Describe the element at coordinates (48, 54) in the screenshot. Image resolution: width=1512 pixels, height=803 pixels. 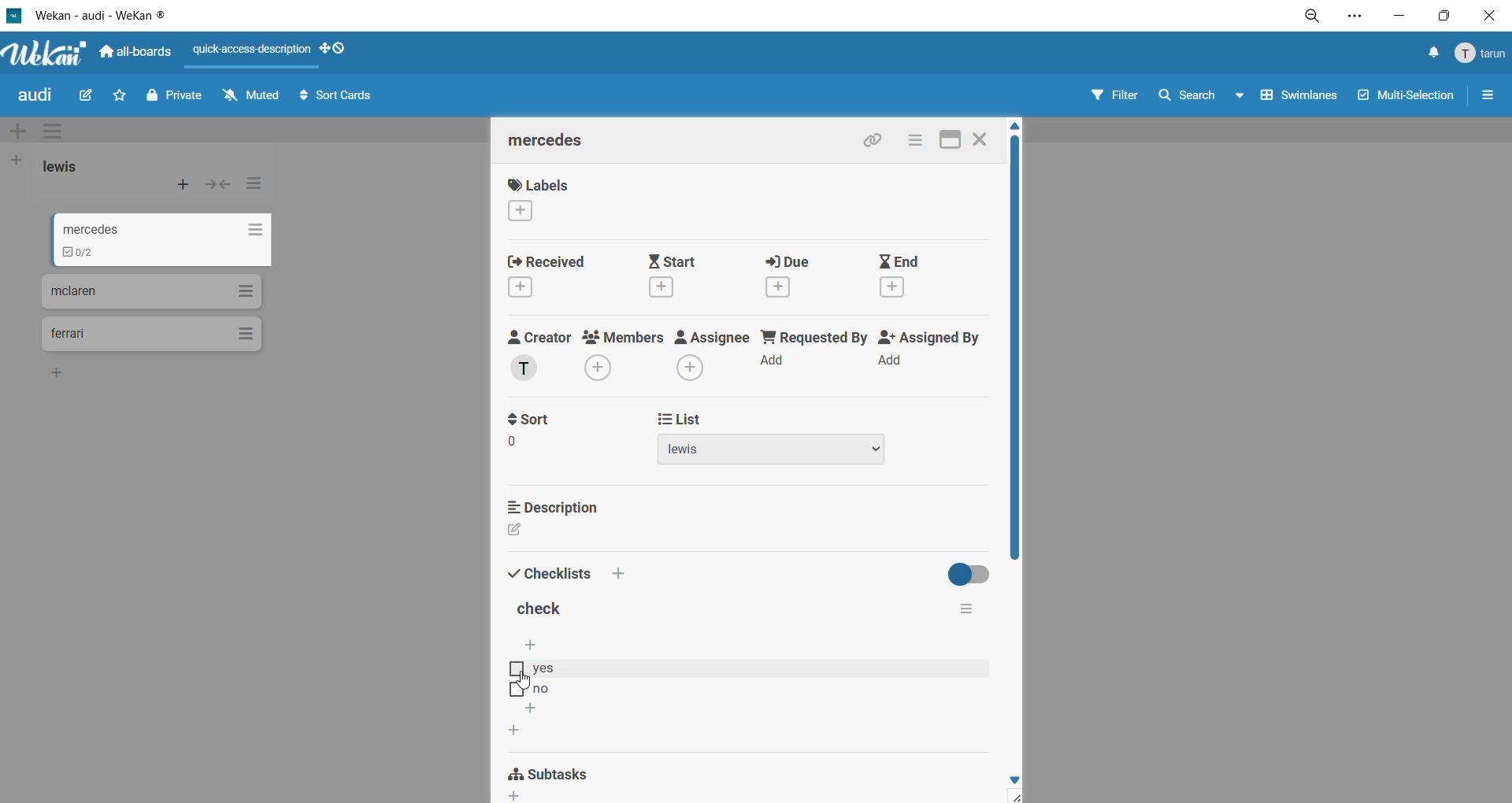
I see `app logo` at that location.